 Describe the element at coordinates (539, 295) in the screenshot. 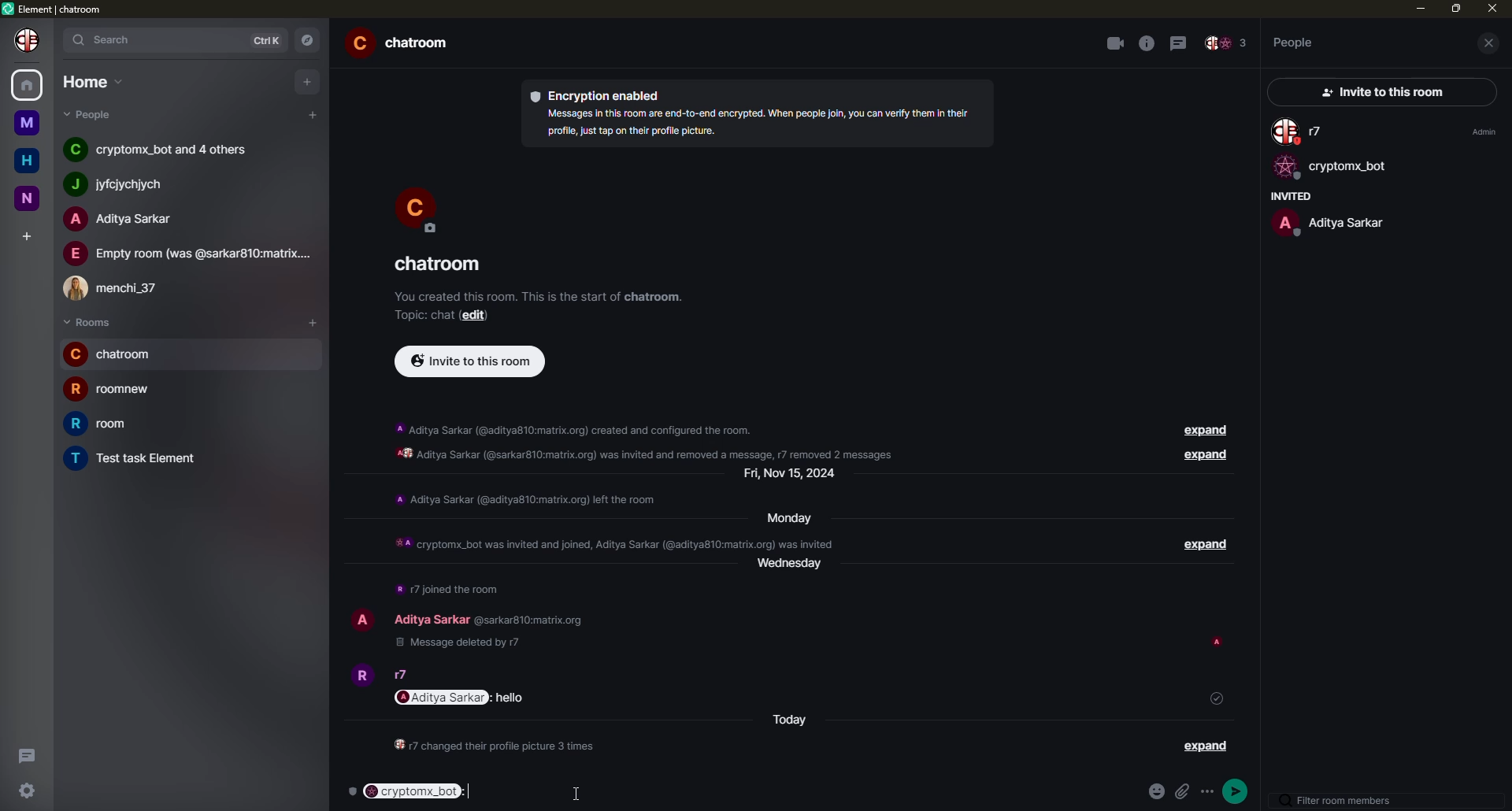

I see `info` at that location.